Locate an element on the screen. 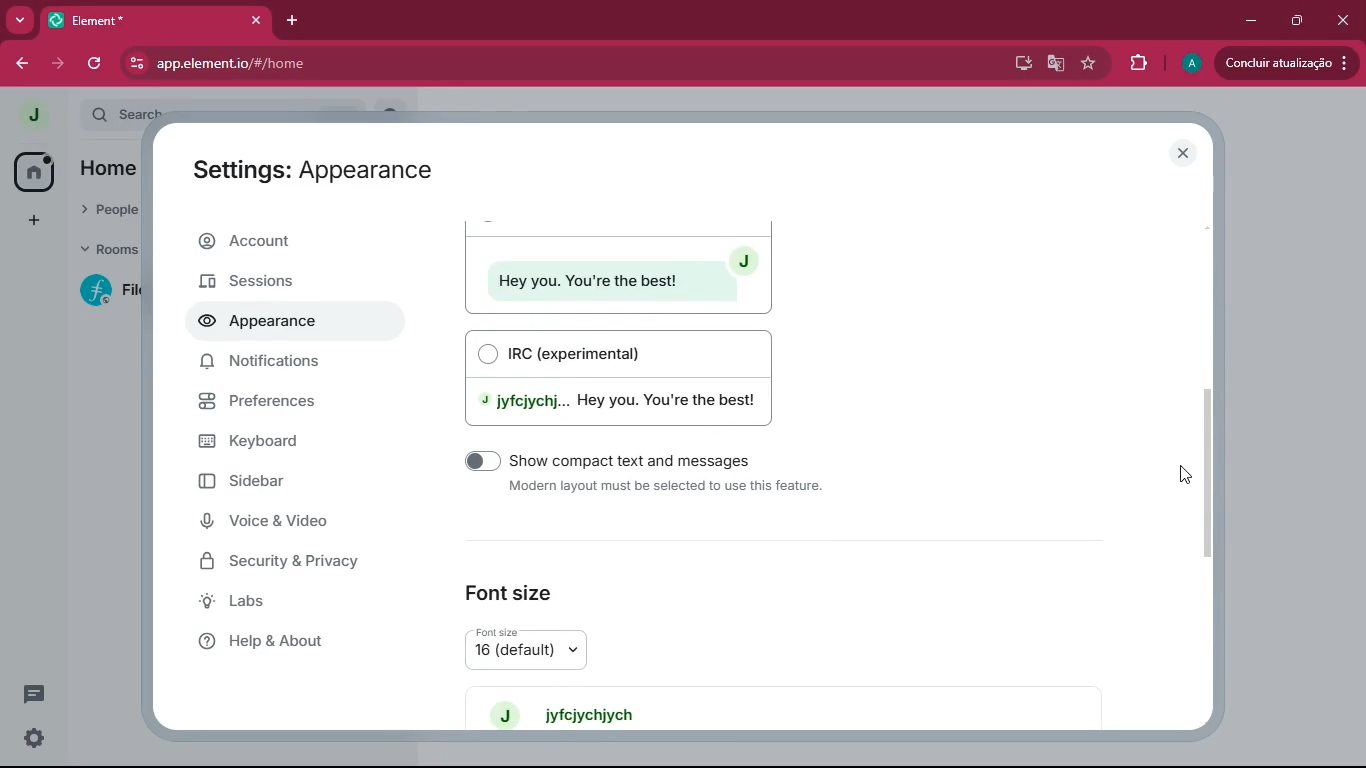 The image size is (1366, 768). keyboard is located at coordinates (289, 440).